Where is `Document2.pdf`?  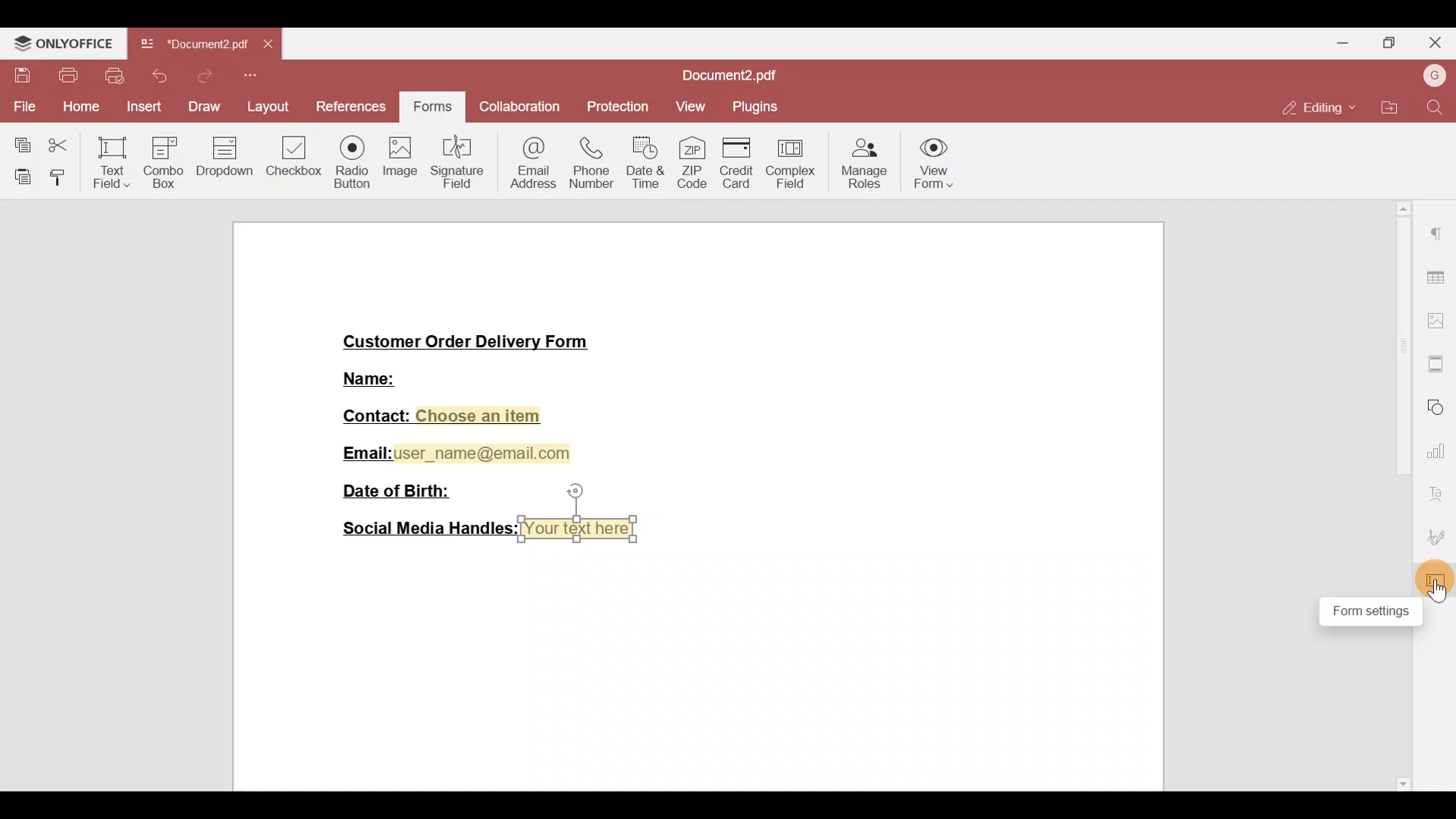
Document2.pdf is located at coordinates (193, 48).